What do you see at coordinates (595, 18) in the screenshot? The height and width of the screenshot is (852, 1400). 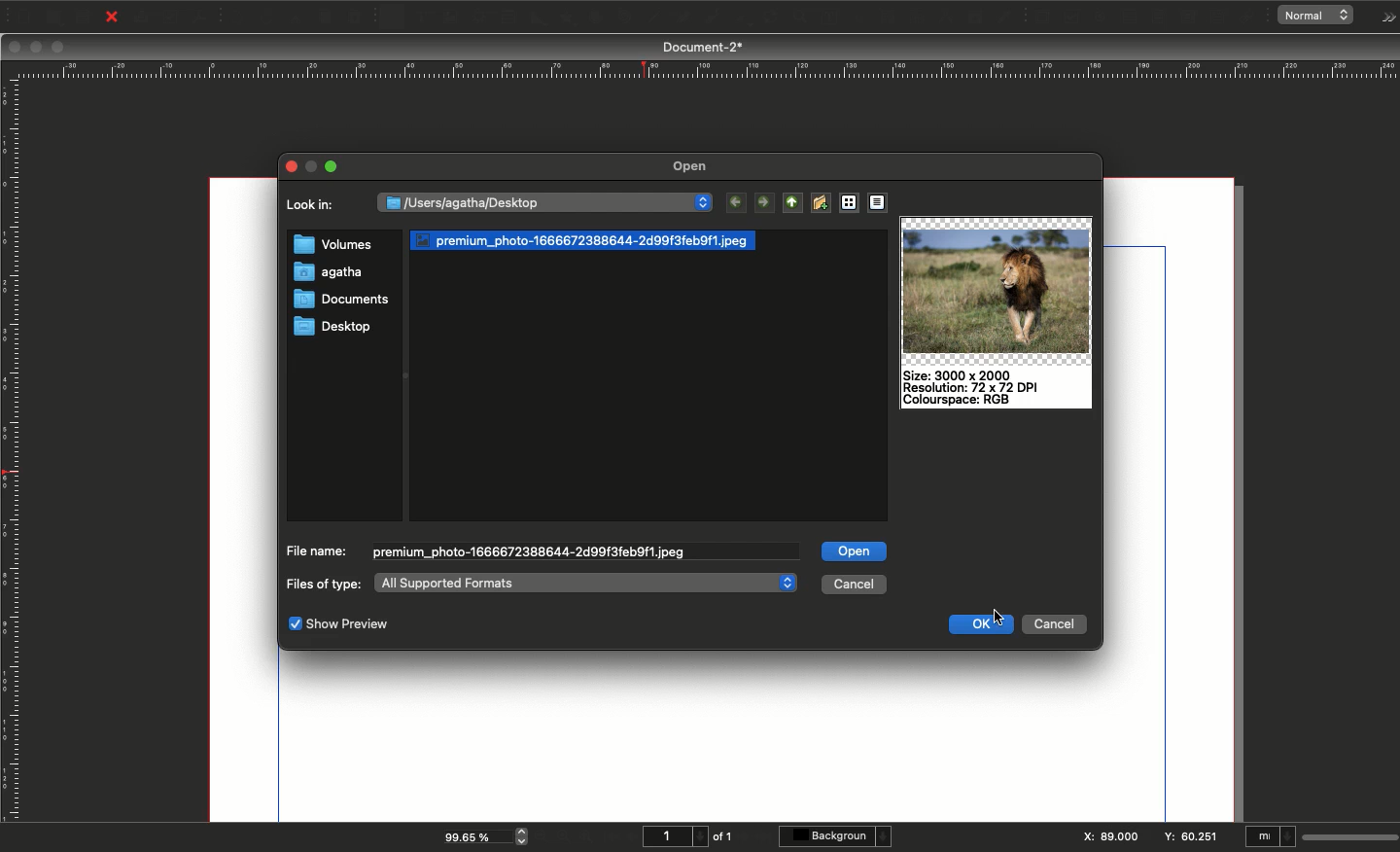 I see `Arc` at bounding box center [595, 18].